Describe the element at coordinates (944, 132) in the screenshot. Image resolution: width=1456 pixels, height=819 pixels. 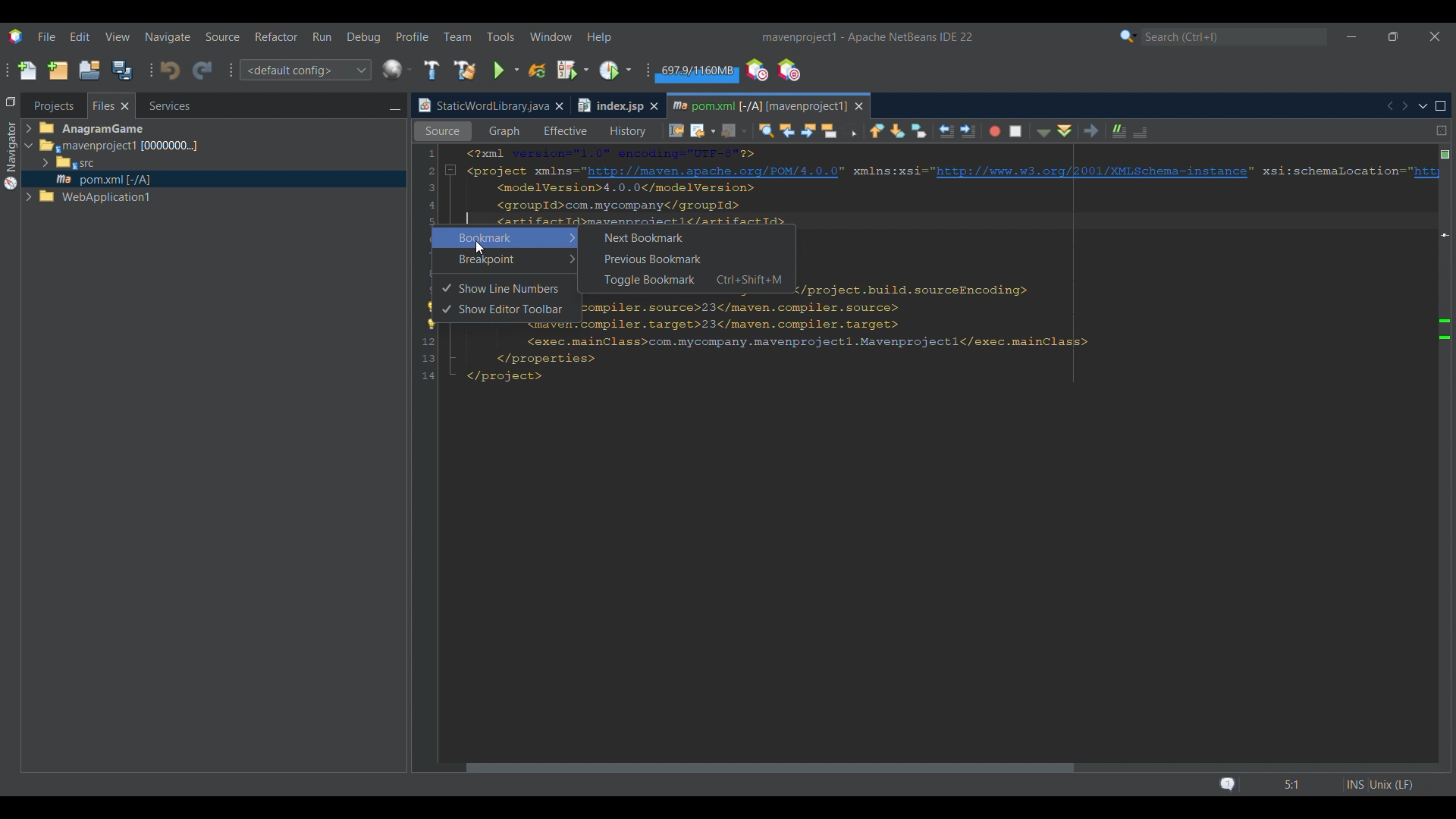
I see `Shift line left` at that location.